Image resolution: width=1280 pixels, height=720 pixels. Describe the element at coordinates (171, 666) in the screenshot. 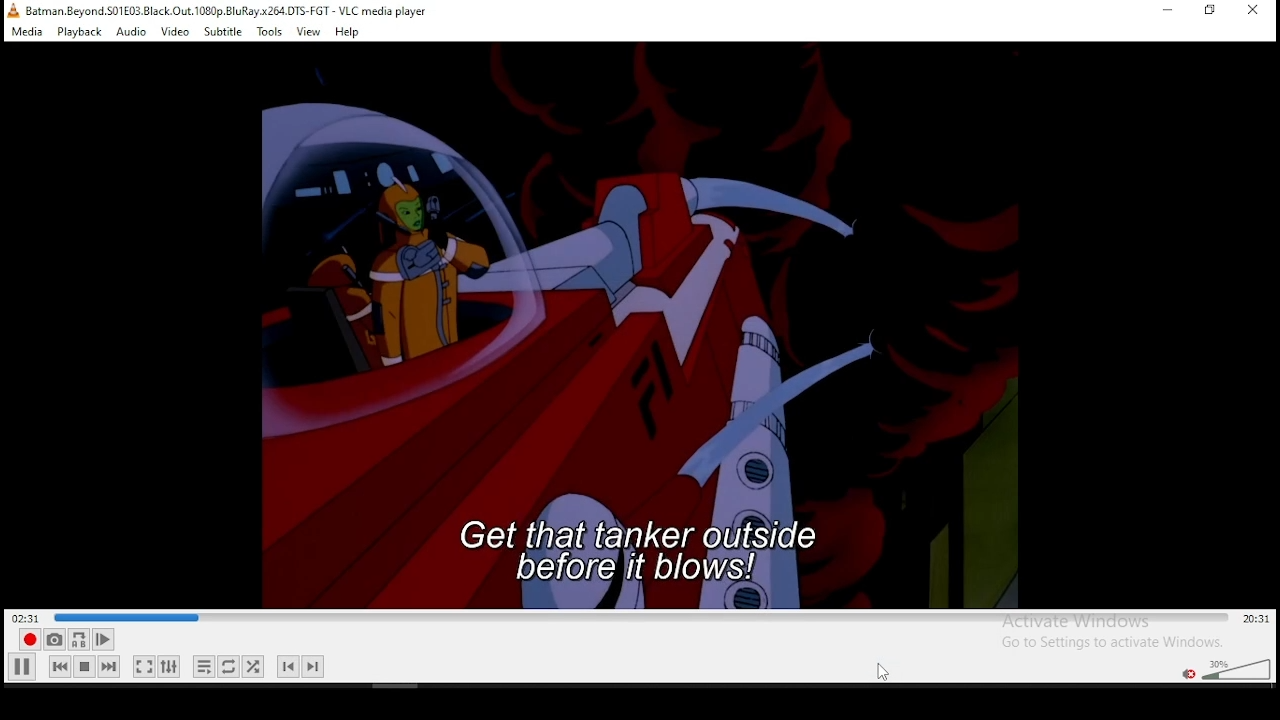

I see `show extended settings` at that location.